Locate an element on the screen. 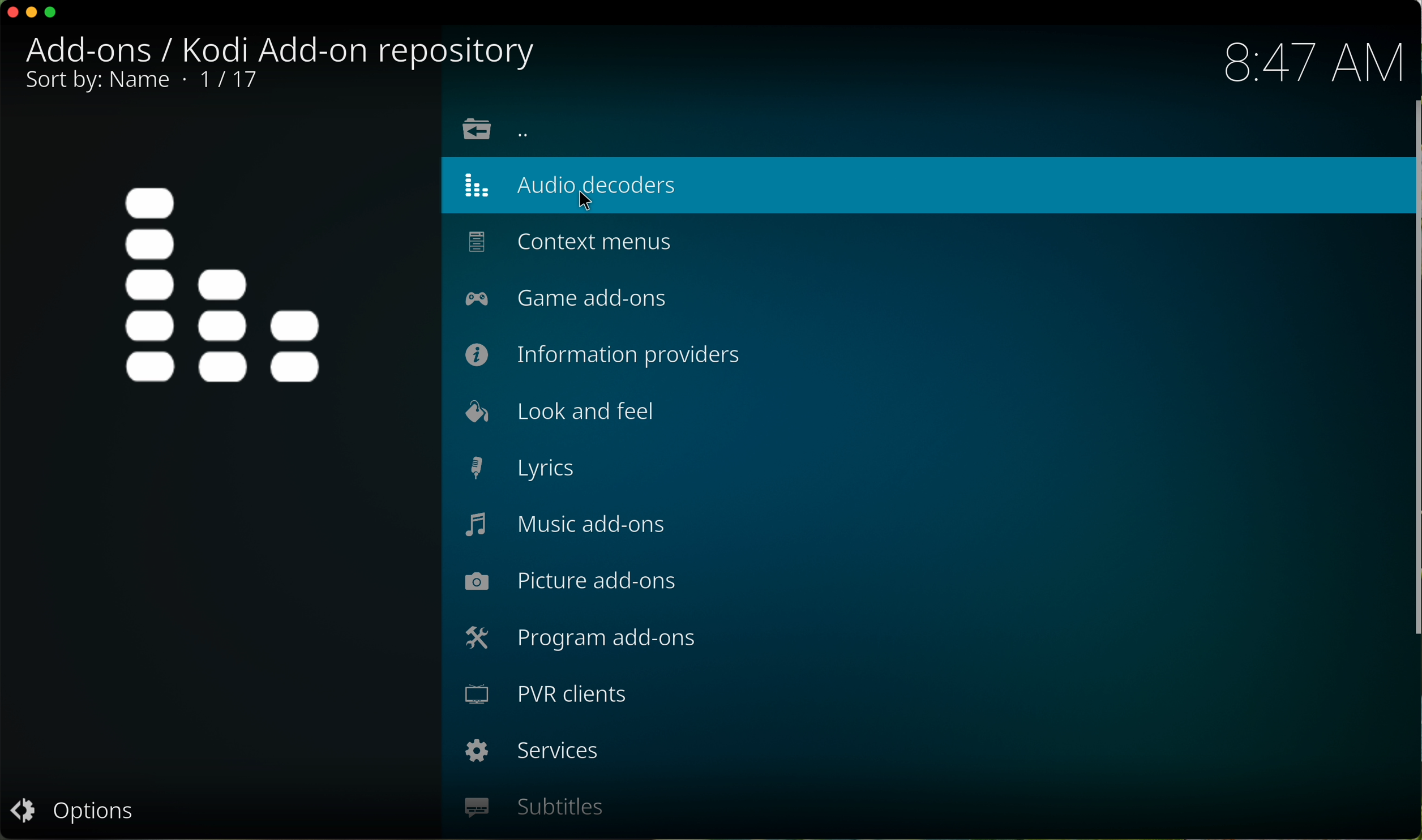 The height and width of the screenshot is (840, 1422). hour is located at coordinates (1312, 62).